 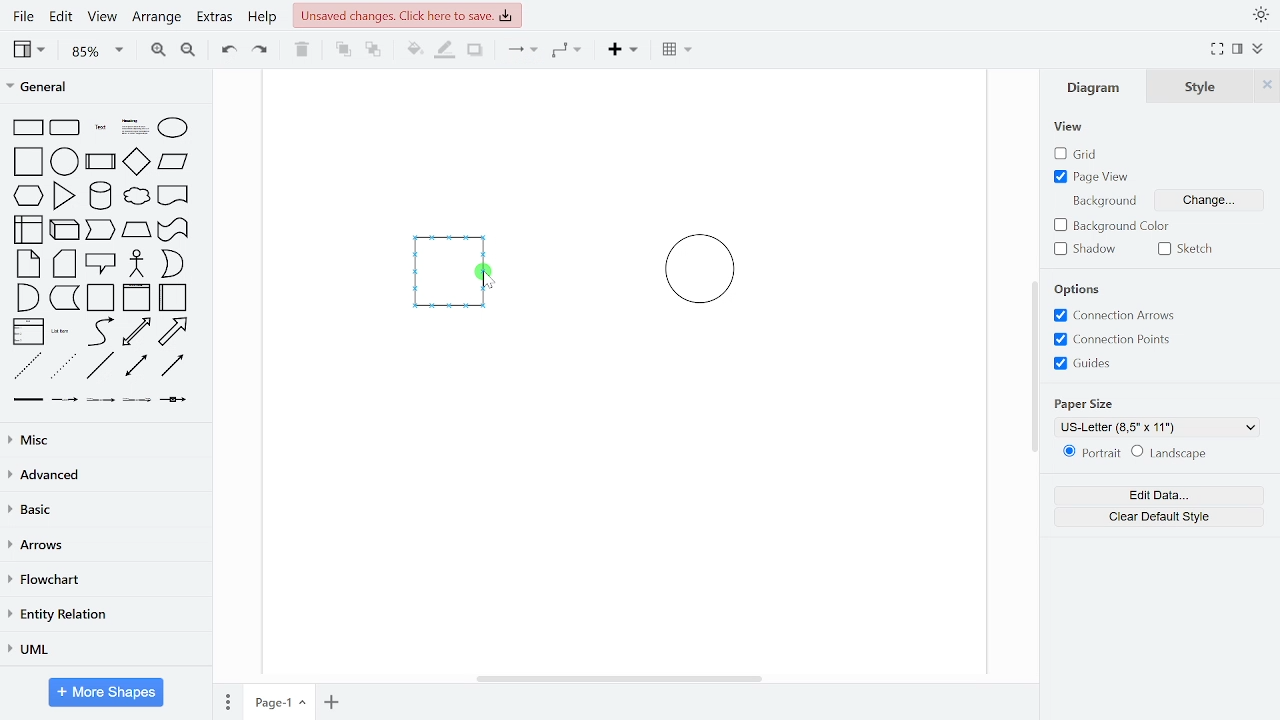 What do you see at coordinates (1083, 363) in the screenshot?
I see `guides` at bounding box center [1083, 363].